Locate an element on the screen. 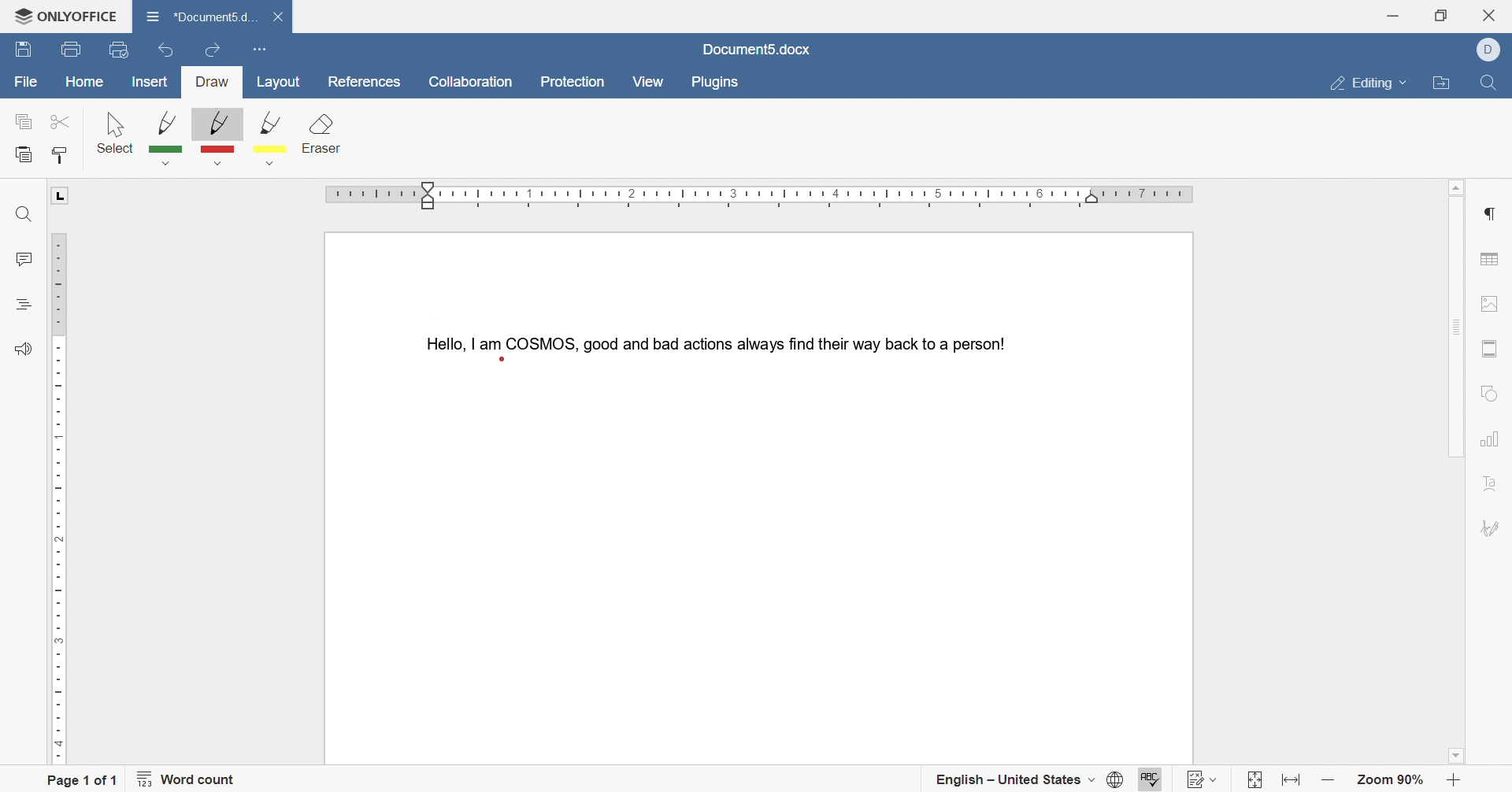  scroll bar is located at coordinates (1455, 324).